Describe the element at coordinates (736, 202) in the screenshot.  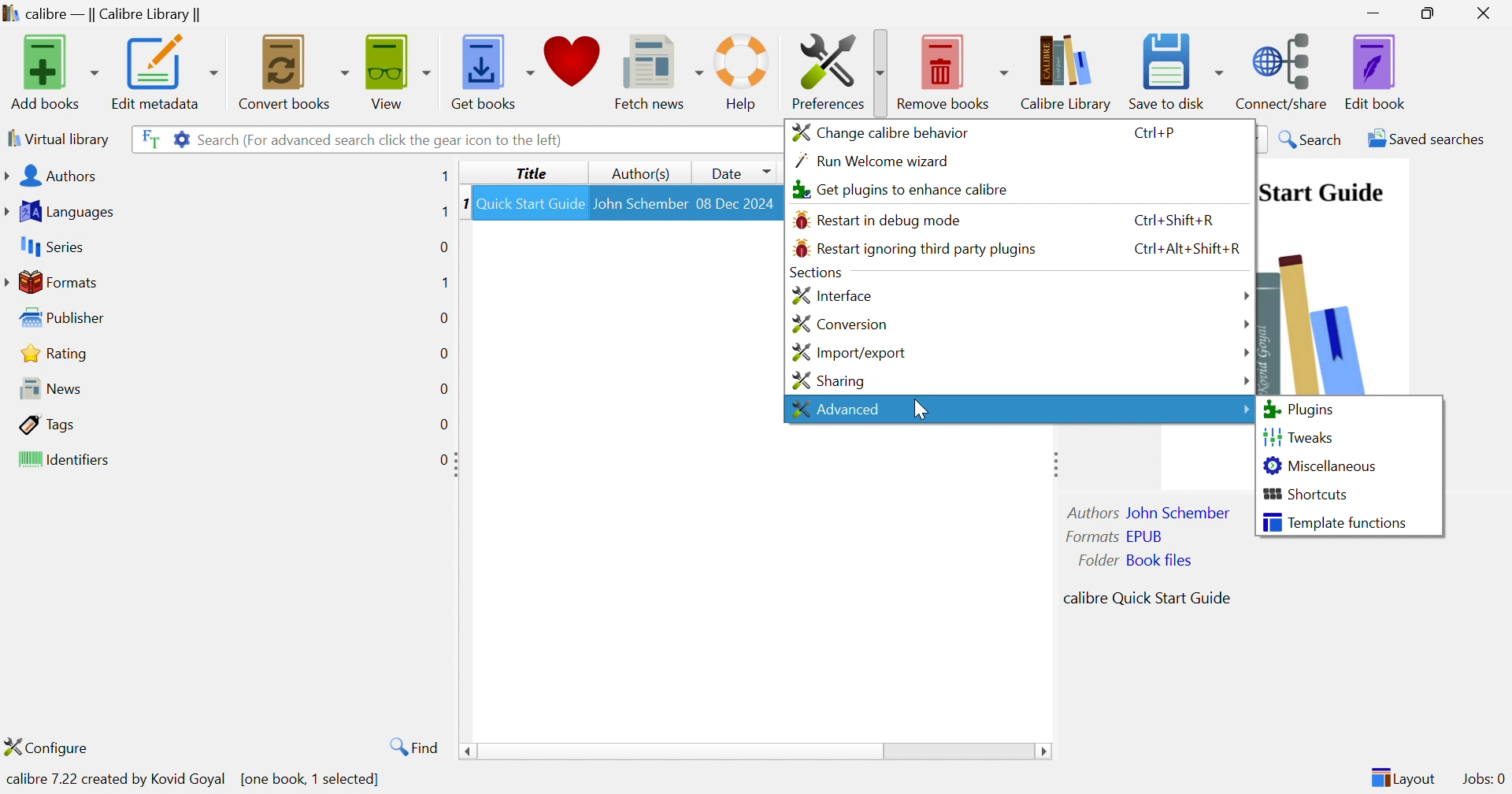
I see `08 Dec 2024` at that location.